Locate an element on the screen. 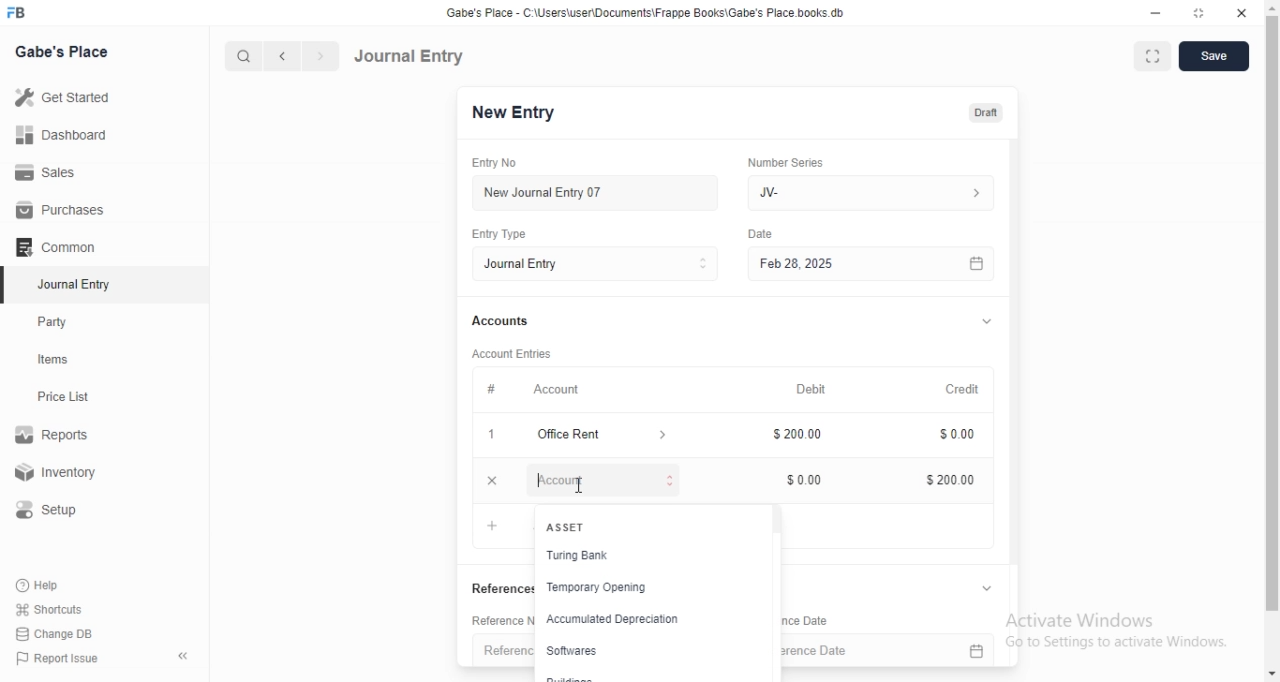  ‘Gabe's Place - C\UsersiuserDocuments\Frappe Books\Gabe's Place books db is located at coordinates (653, 12).